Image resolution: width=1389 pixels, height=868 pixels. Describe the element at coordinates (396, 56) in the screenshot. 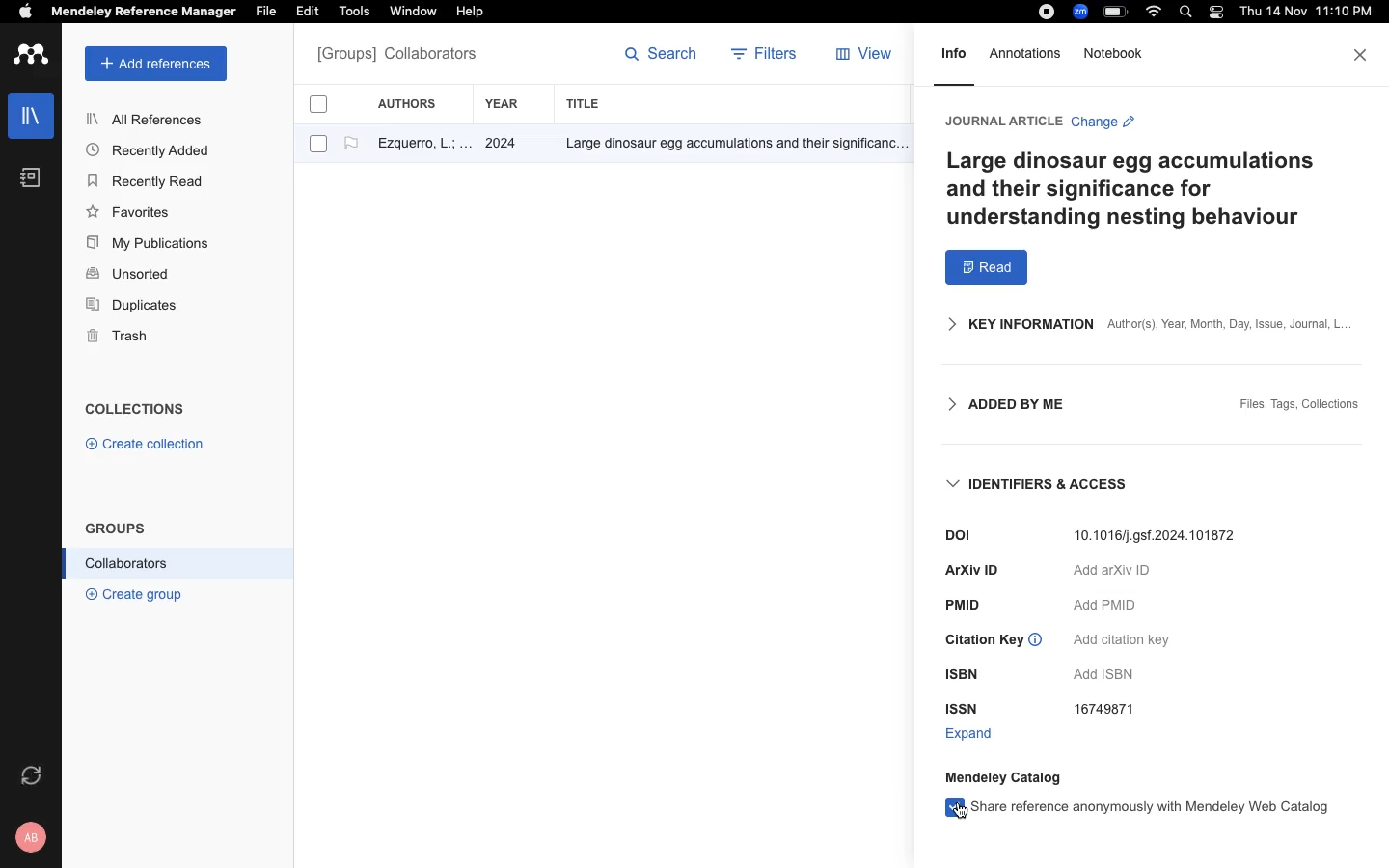

I see `All references` at that location.